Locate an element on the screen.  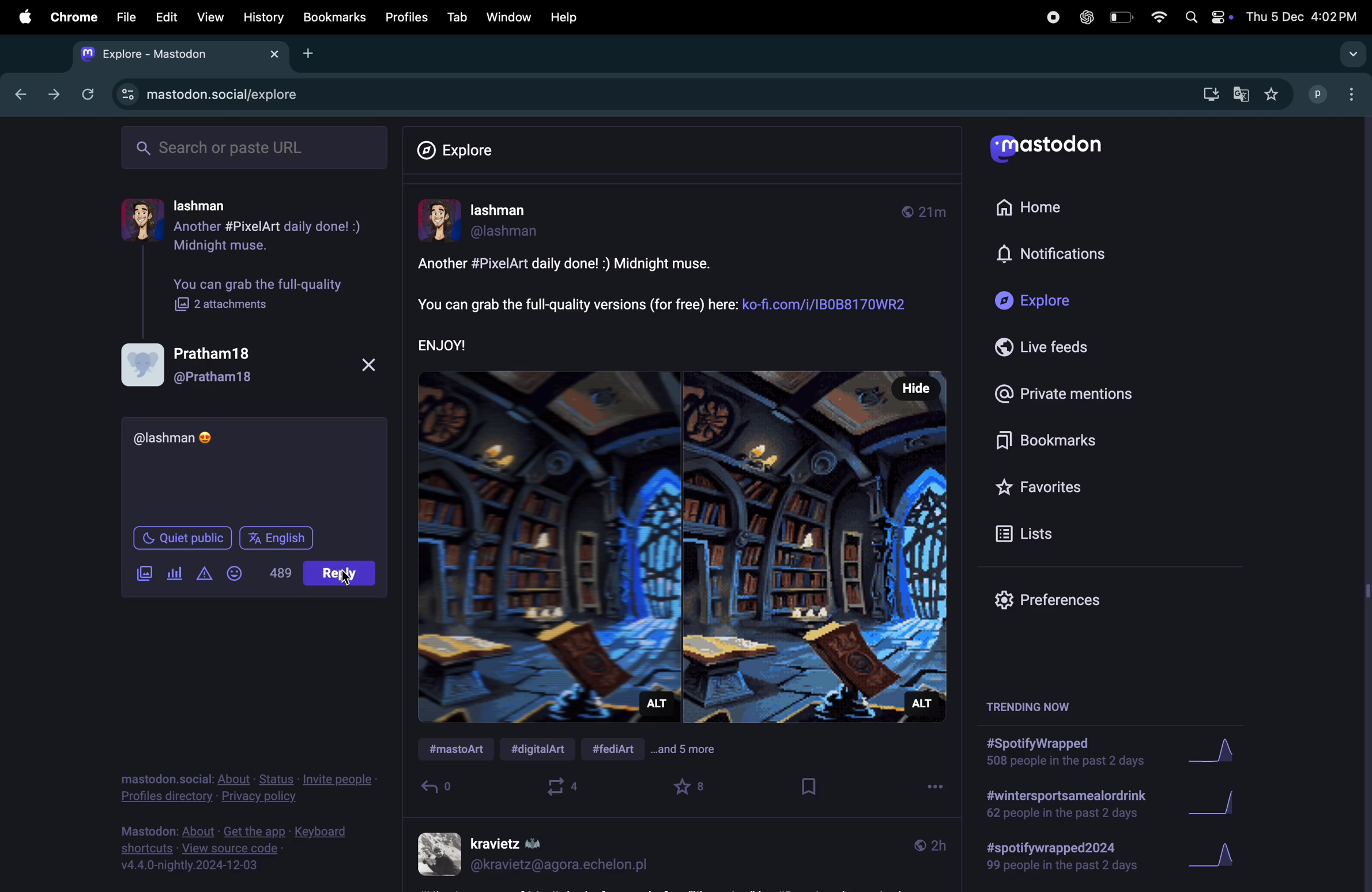
Private mentions is located at coordinates (1064, 393).